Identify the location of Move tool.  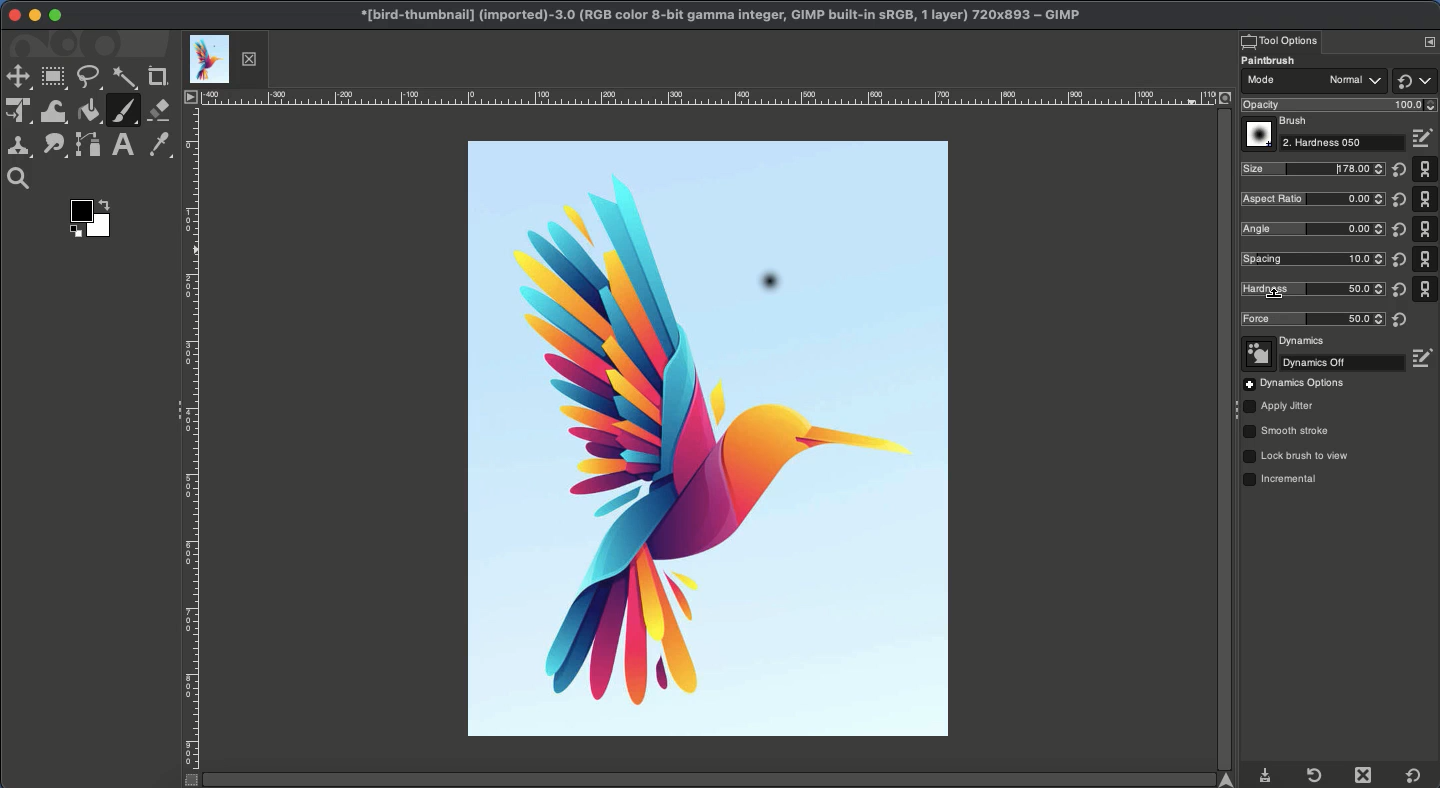
(17, 78).